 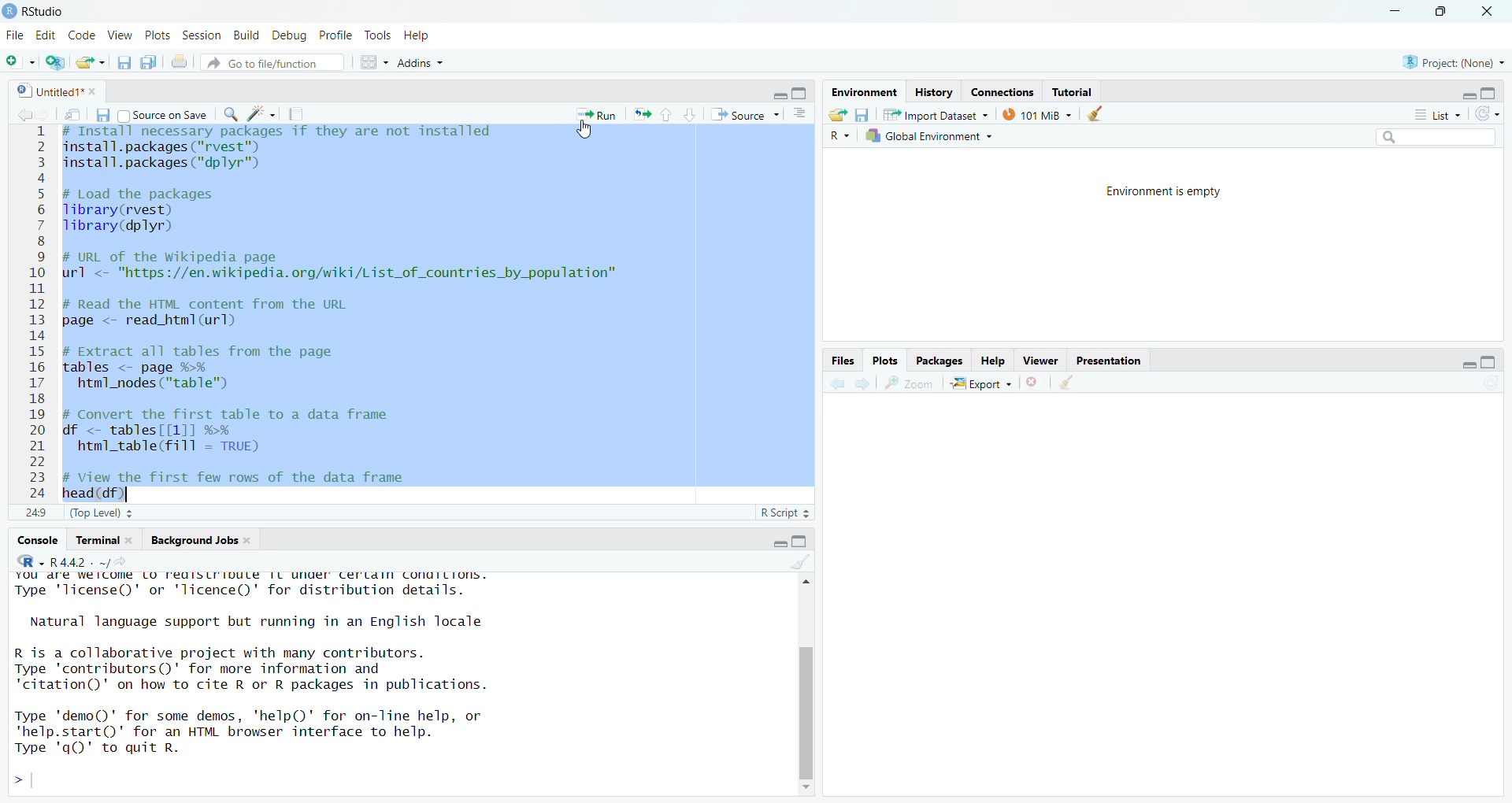 I want to click on back, so click(x=26, y=115).